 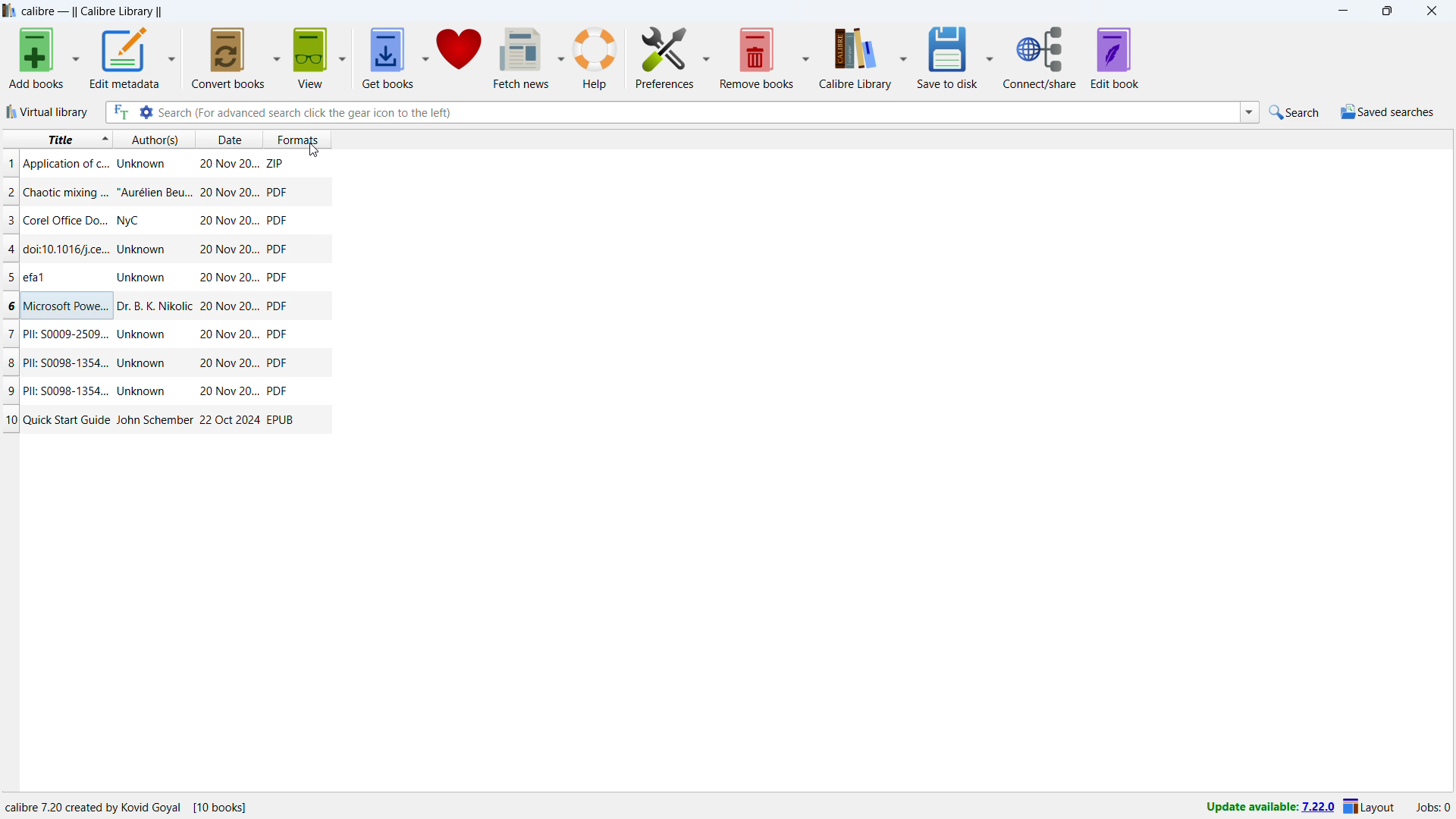 What do you see at coordinates (143, 164) in the screenshot?
I see `author` at bounding box center [143, 164].